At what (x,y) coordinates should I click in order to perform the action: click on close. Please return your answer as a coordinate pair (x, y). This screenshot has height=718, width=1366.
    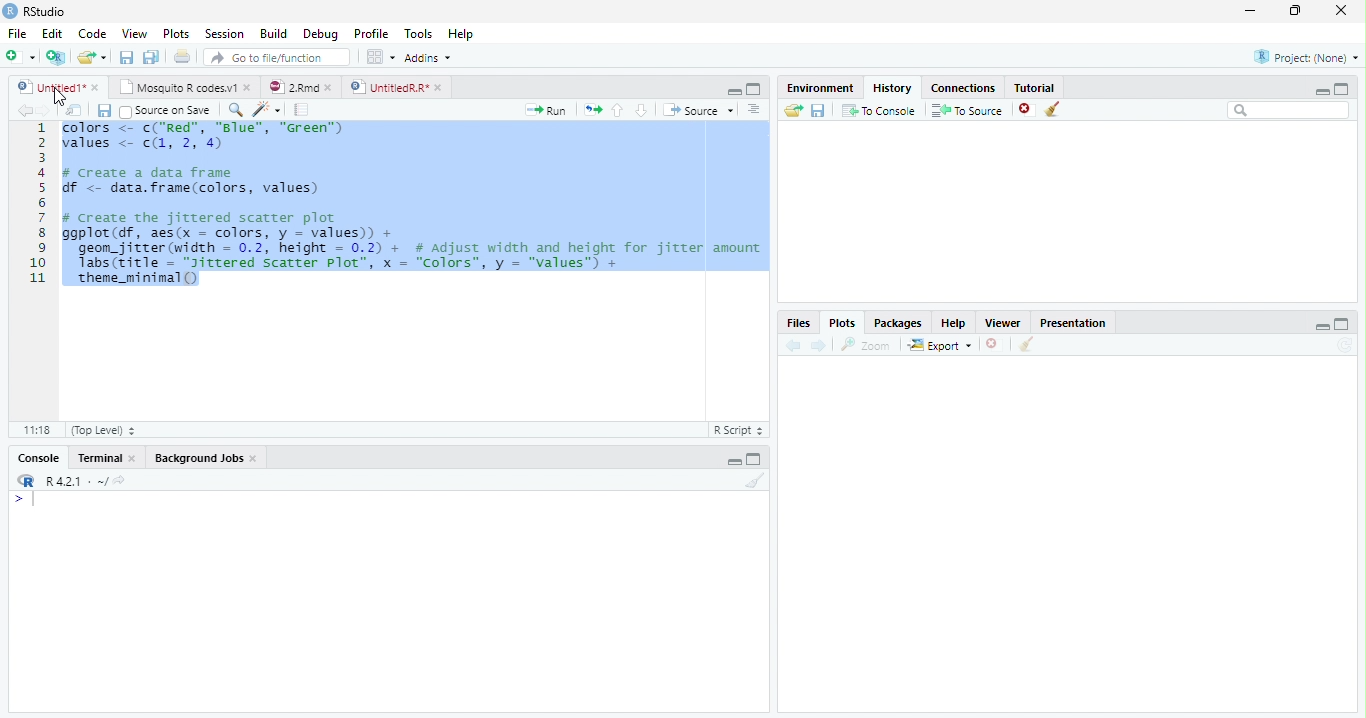
    Looking at the image, I should click on (95, 88).